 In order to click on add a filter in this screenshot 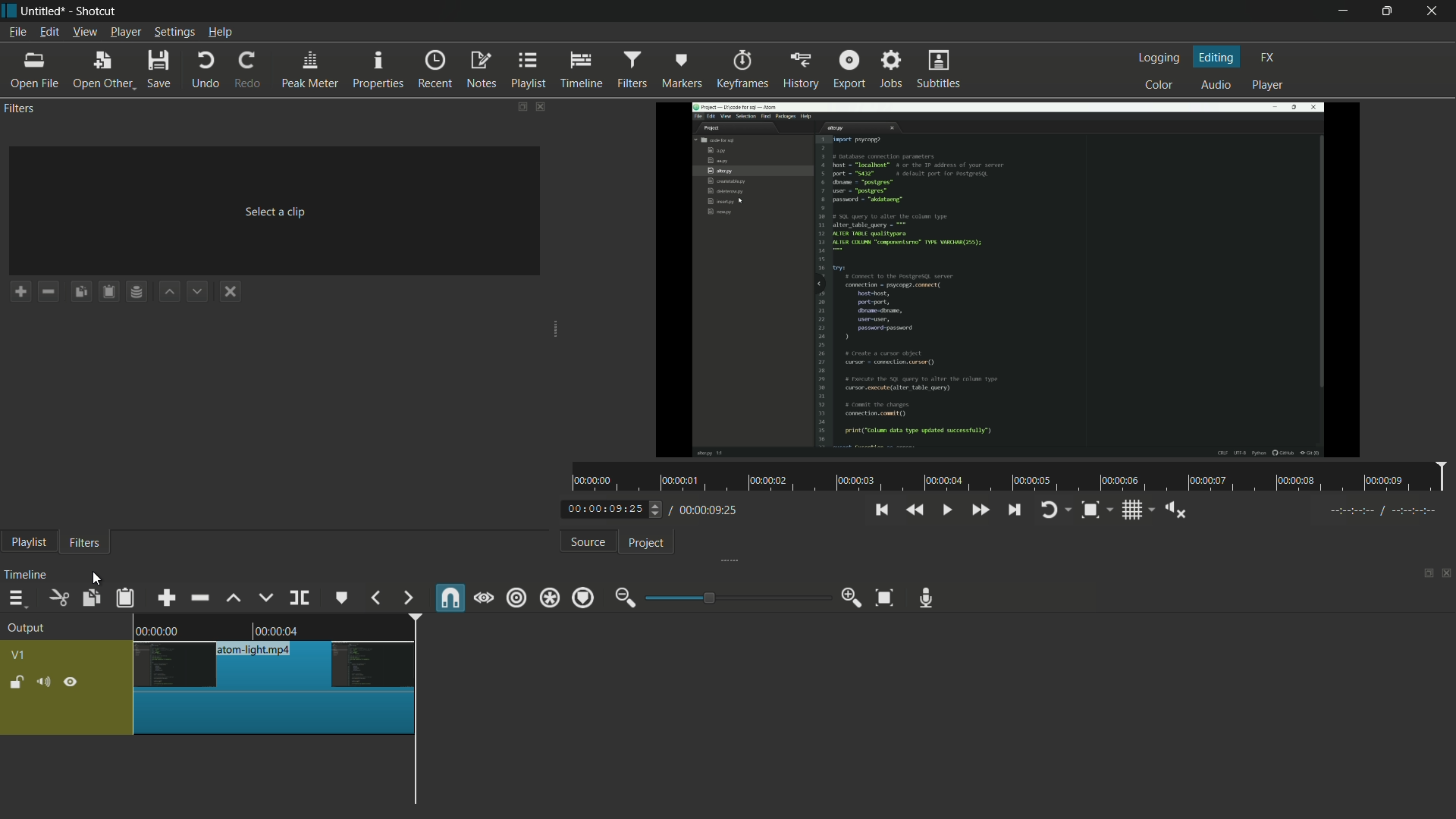, I will do `click(20, 291)`.